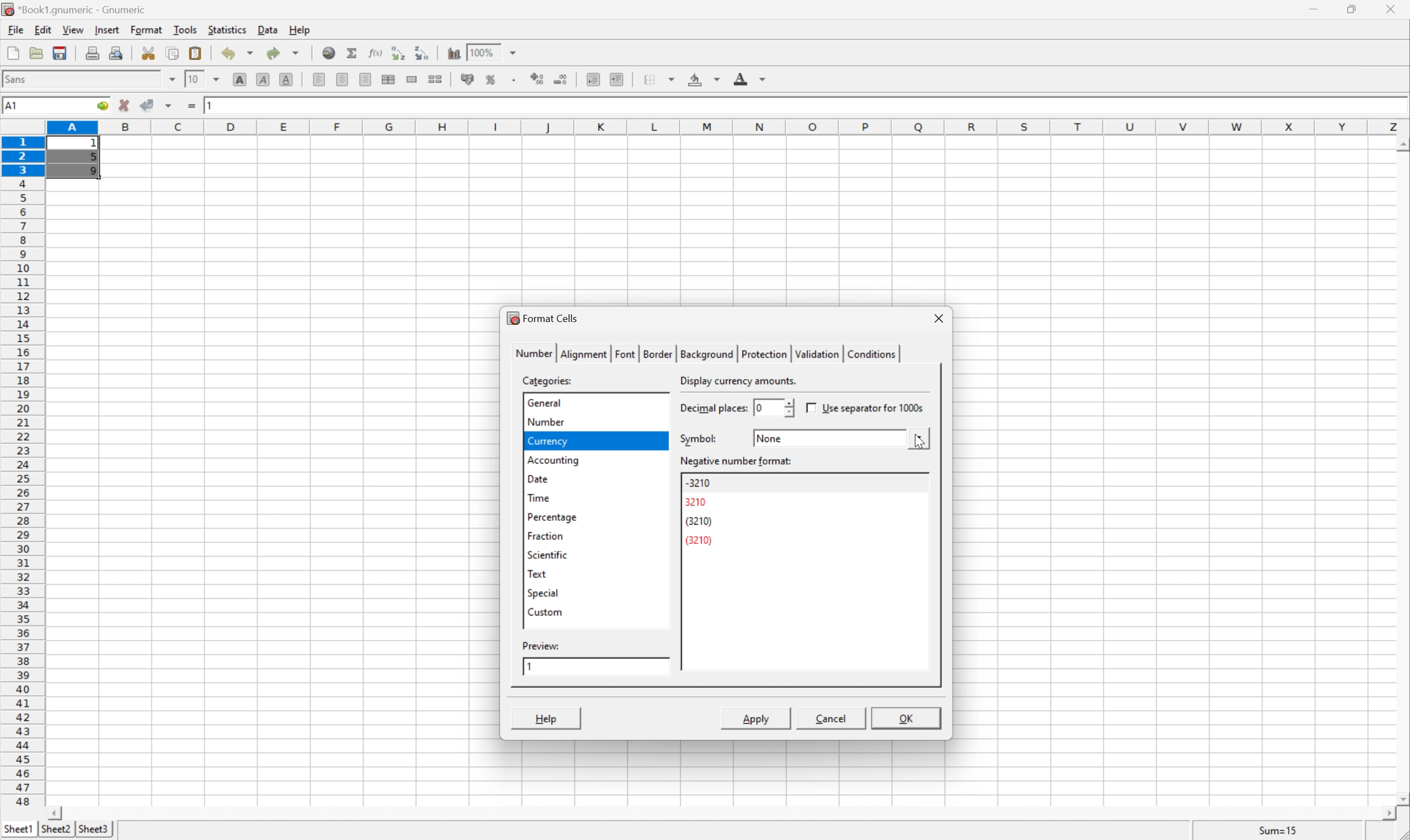 The width and height of the screenshot is (1410, 840). What do you see at coordinates (390, 78) in the screenshot?
I see `center horizontally` at bounding box center [390, 78].